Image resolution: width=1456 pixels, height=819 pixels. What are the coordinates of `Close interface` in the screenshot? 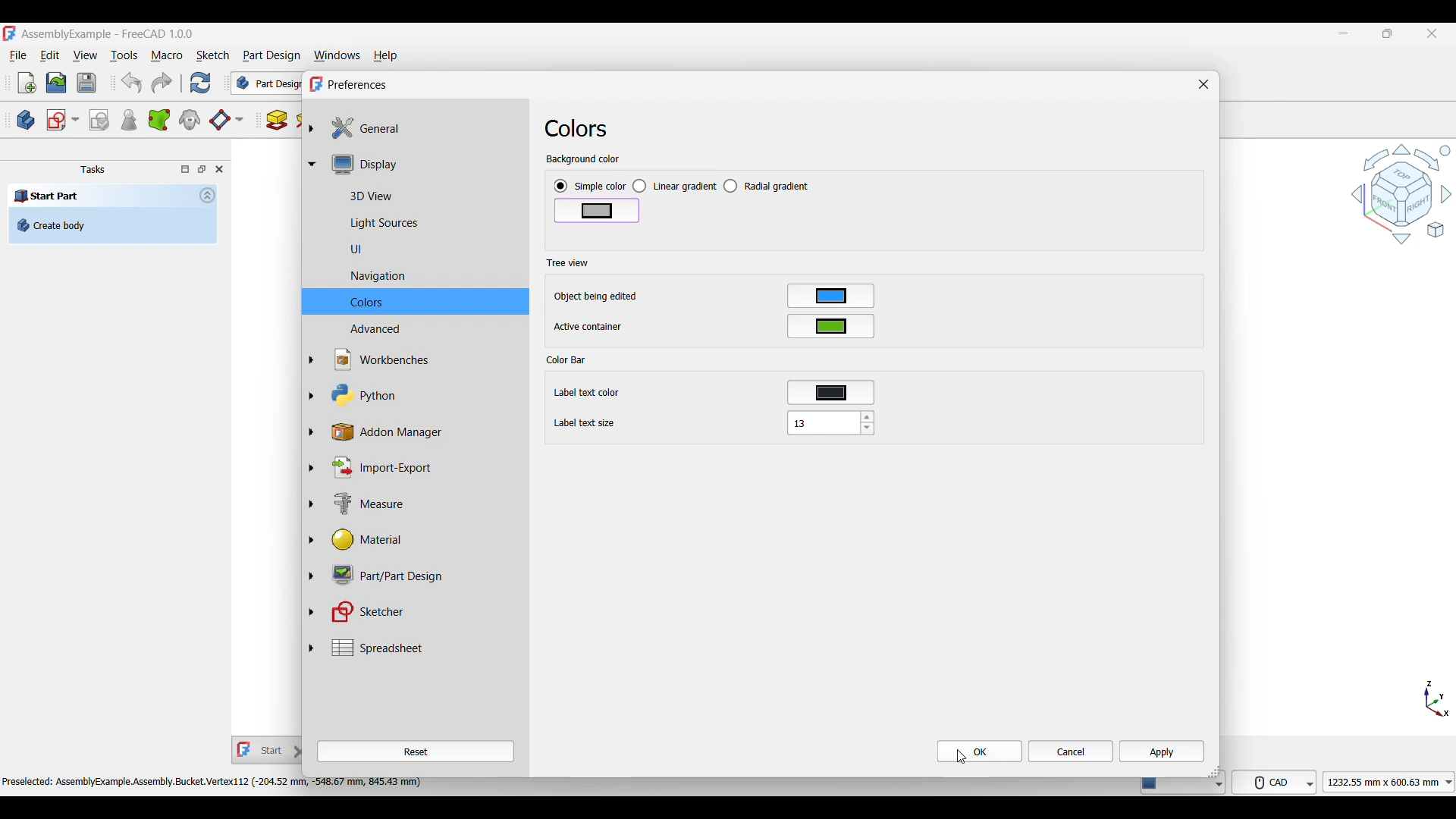 It's located at (1432, 34).